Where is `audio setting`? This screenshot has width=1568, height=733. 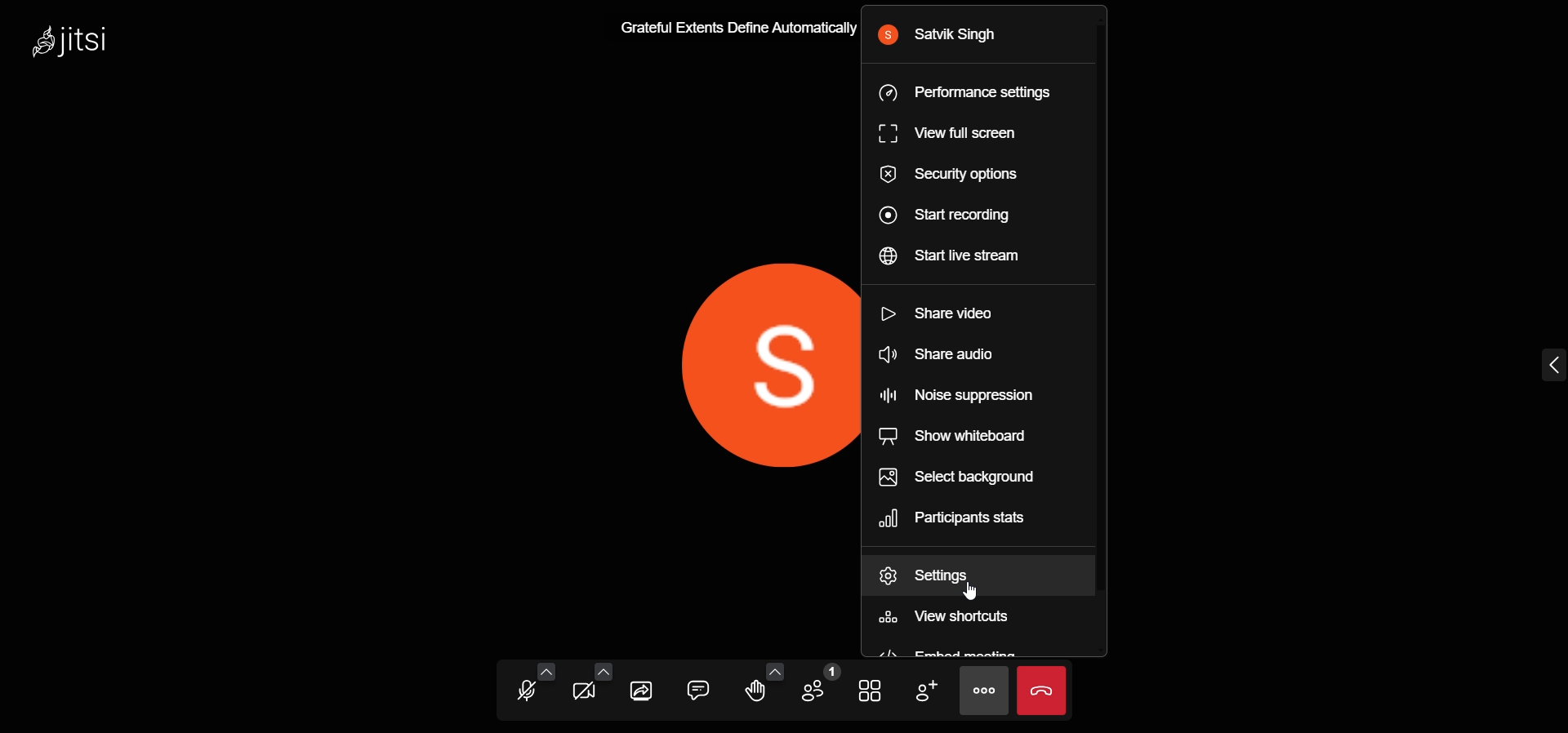
audio setting is located at coordinates (544, 670).